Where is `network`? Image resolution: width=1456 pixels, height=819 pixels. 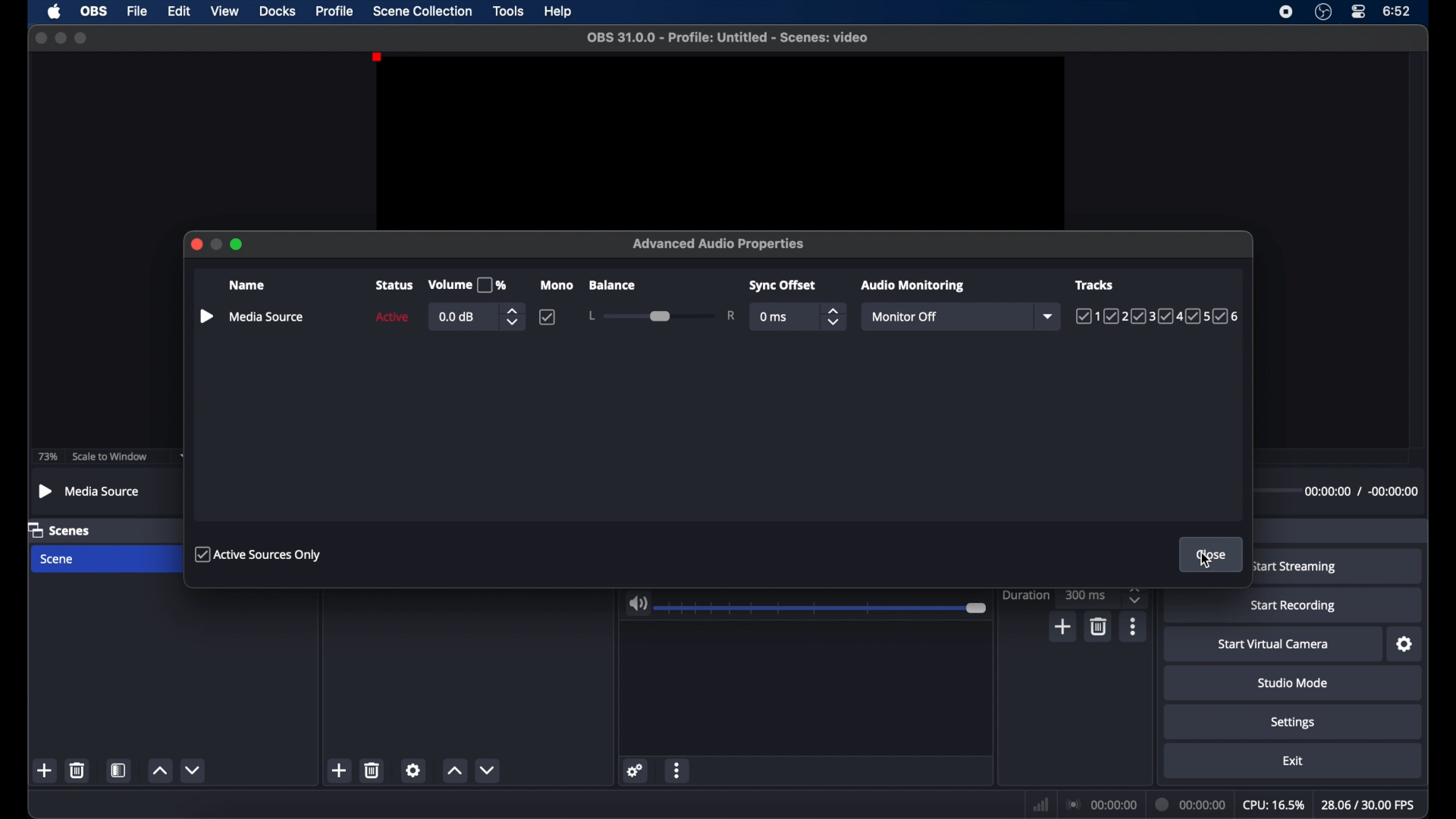 network is located at coordinates (1040, 805).